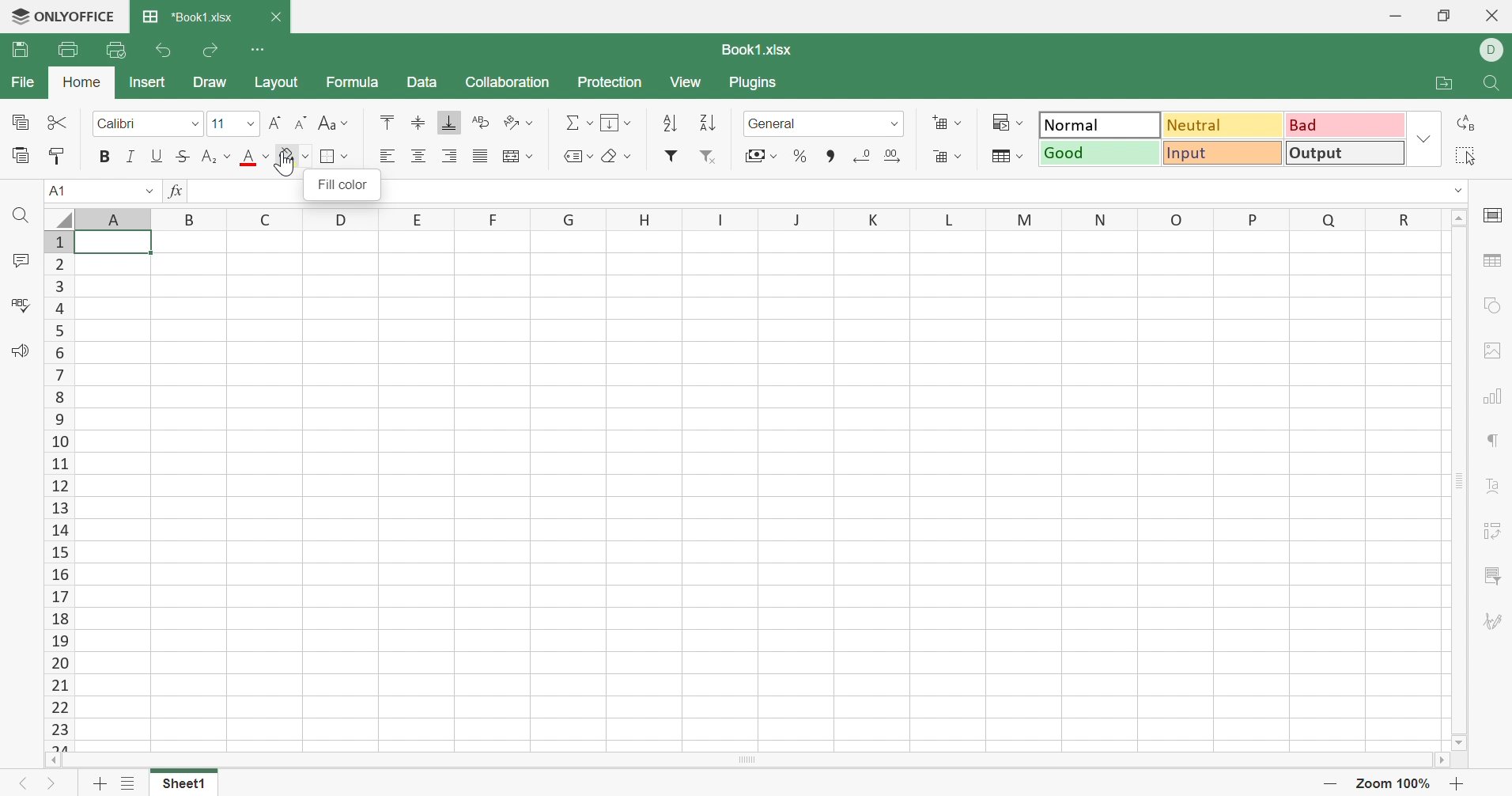  I want to click on Delete cells, so click(944, 154).